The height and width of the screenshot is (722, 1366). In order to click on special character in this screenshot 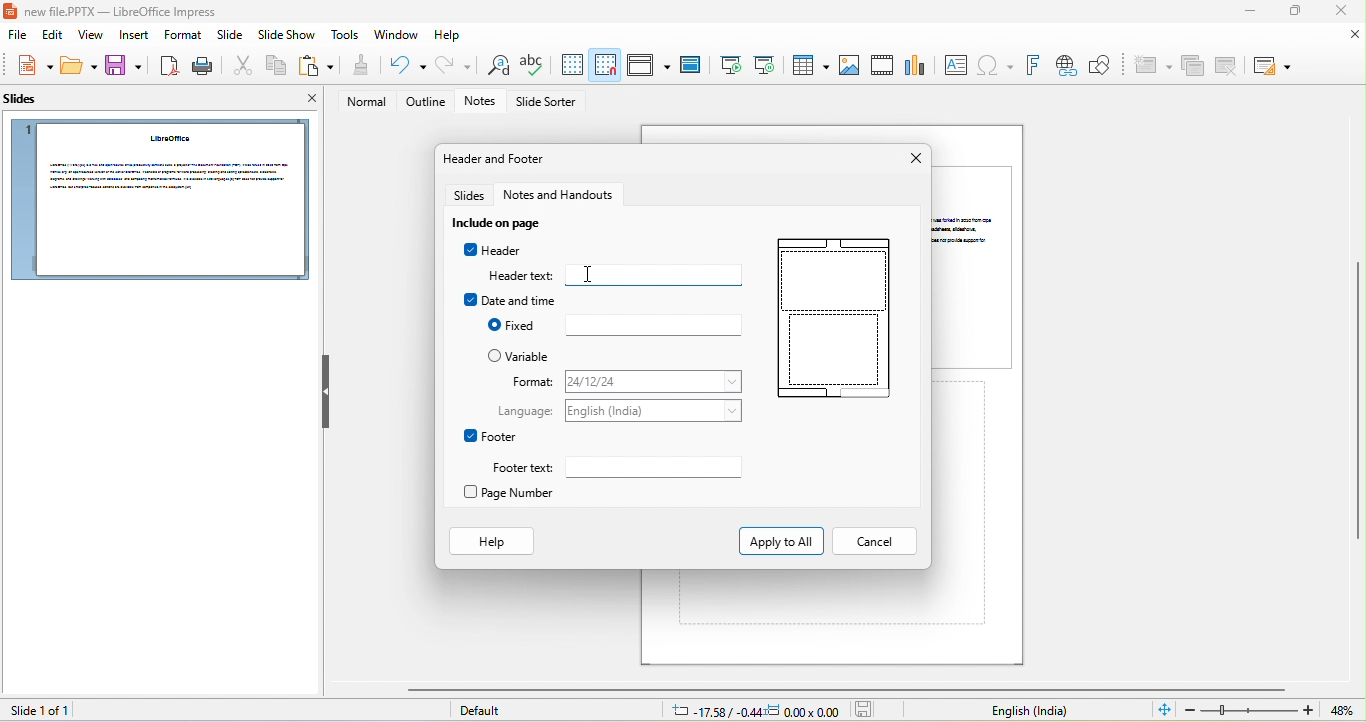, I will do `click(995, 66)`.